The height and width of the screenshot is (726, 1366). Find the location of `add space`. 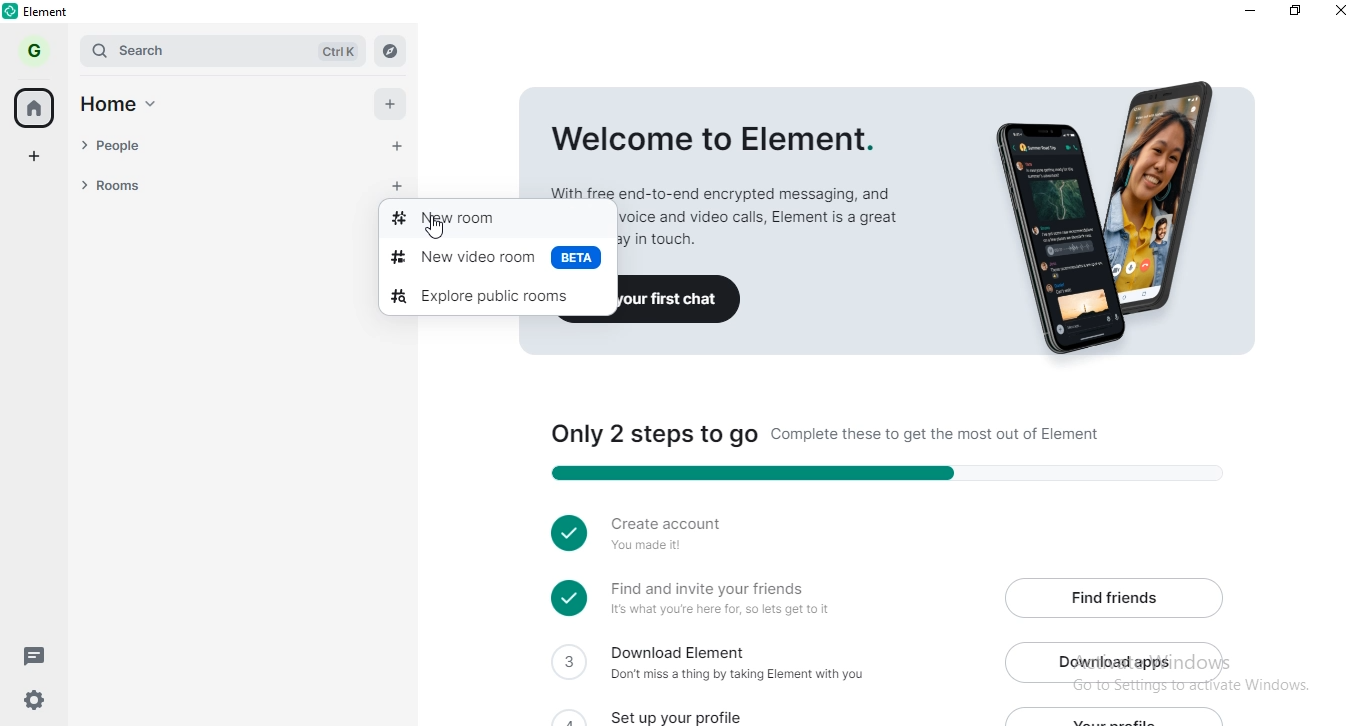

add space is located at coordinates (36, 153).